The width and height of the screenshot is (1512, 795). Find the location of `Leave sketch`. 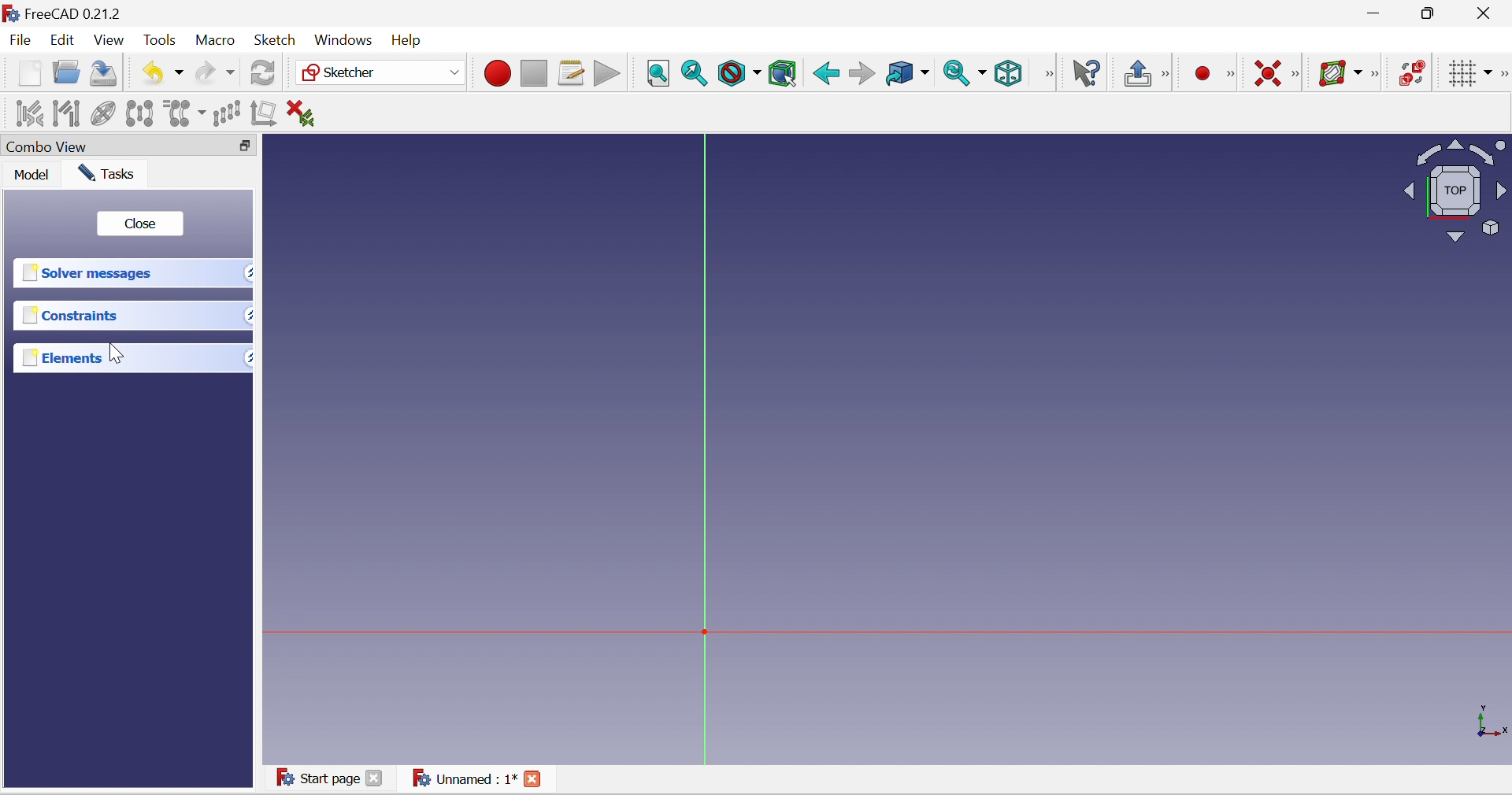

Leave sketch is located at coordinates (1138, 72).